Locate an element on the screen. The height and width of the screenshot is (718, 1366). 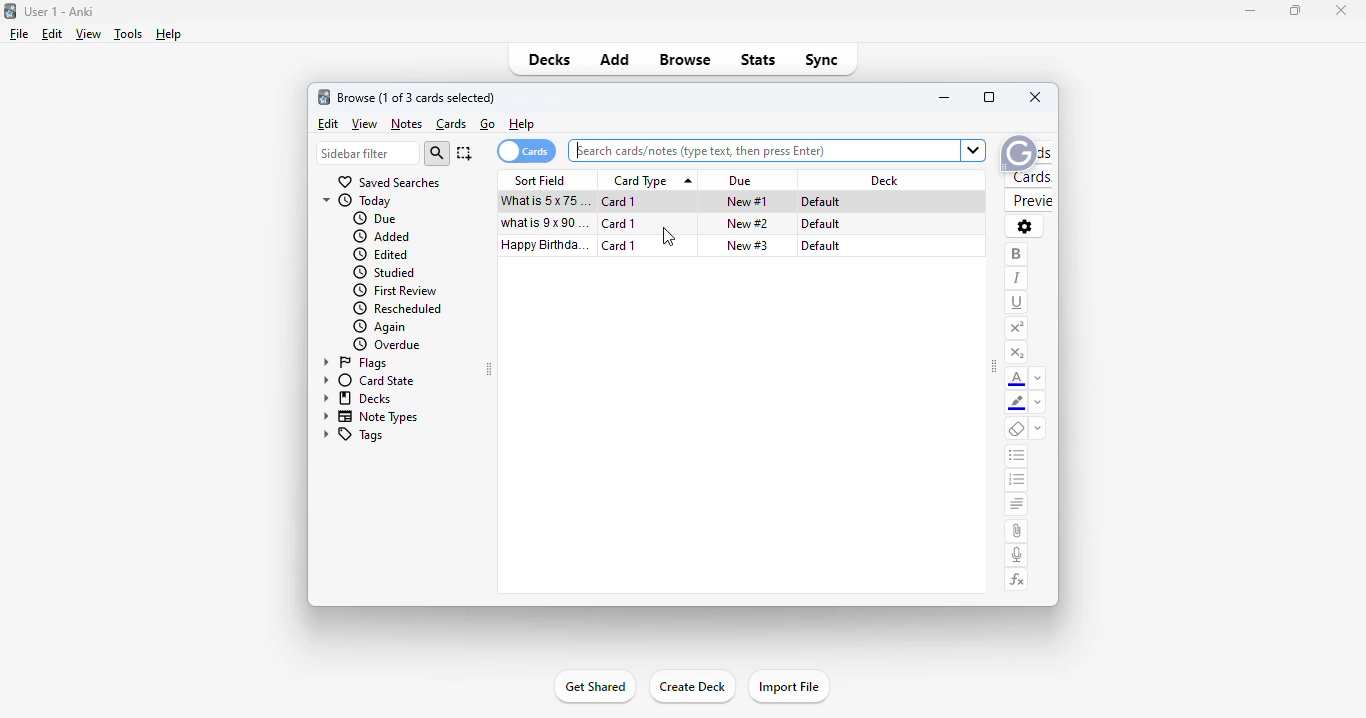
note types is located at coordinates (368, 417).